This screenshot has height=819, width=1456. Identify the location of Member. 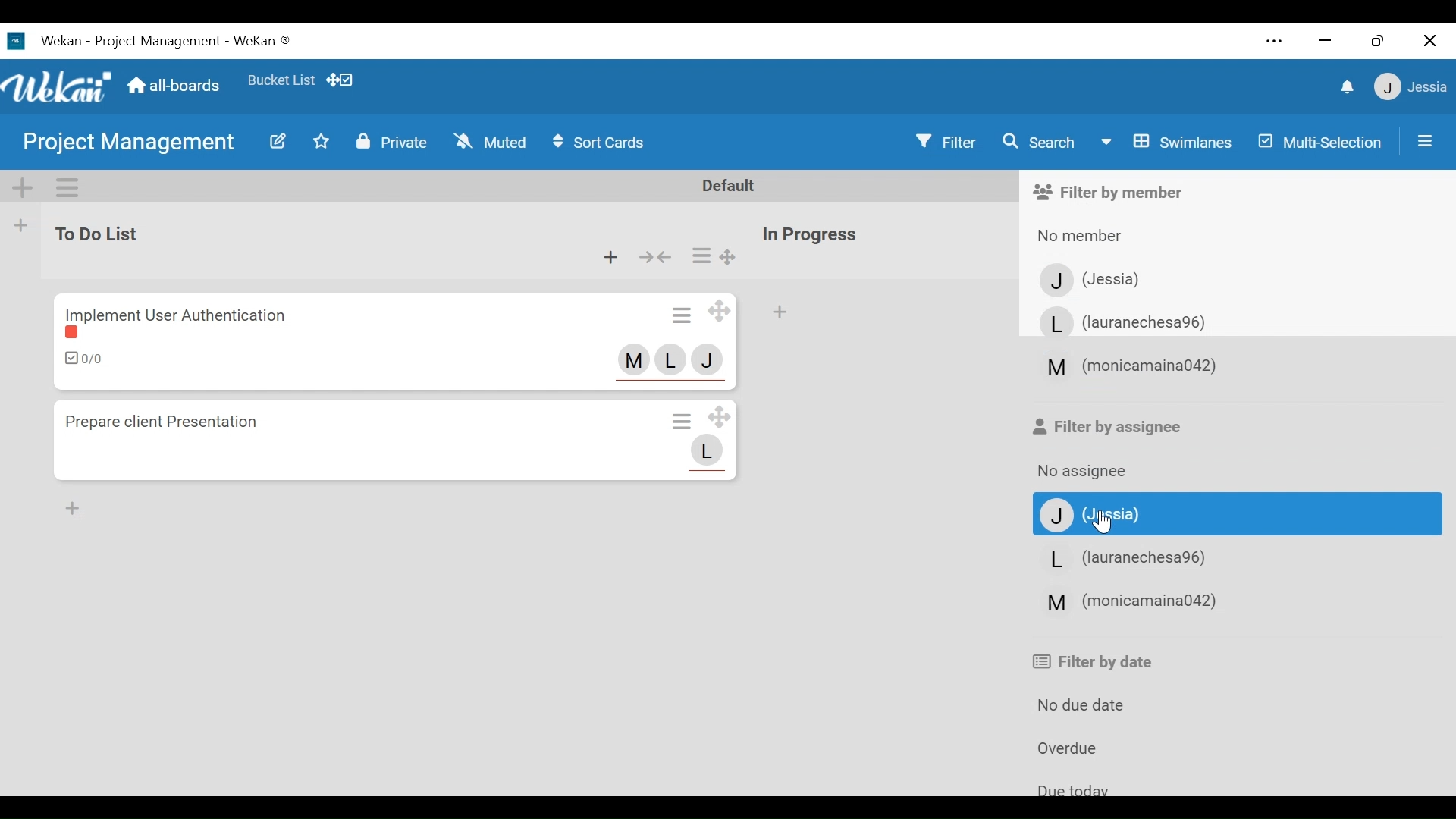
(1122, 279).